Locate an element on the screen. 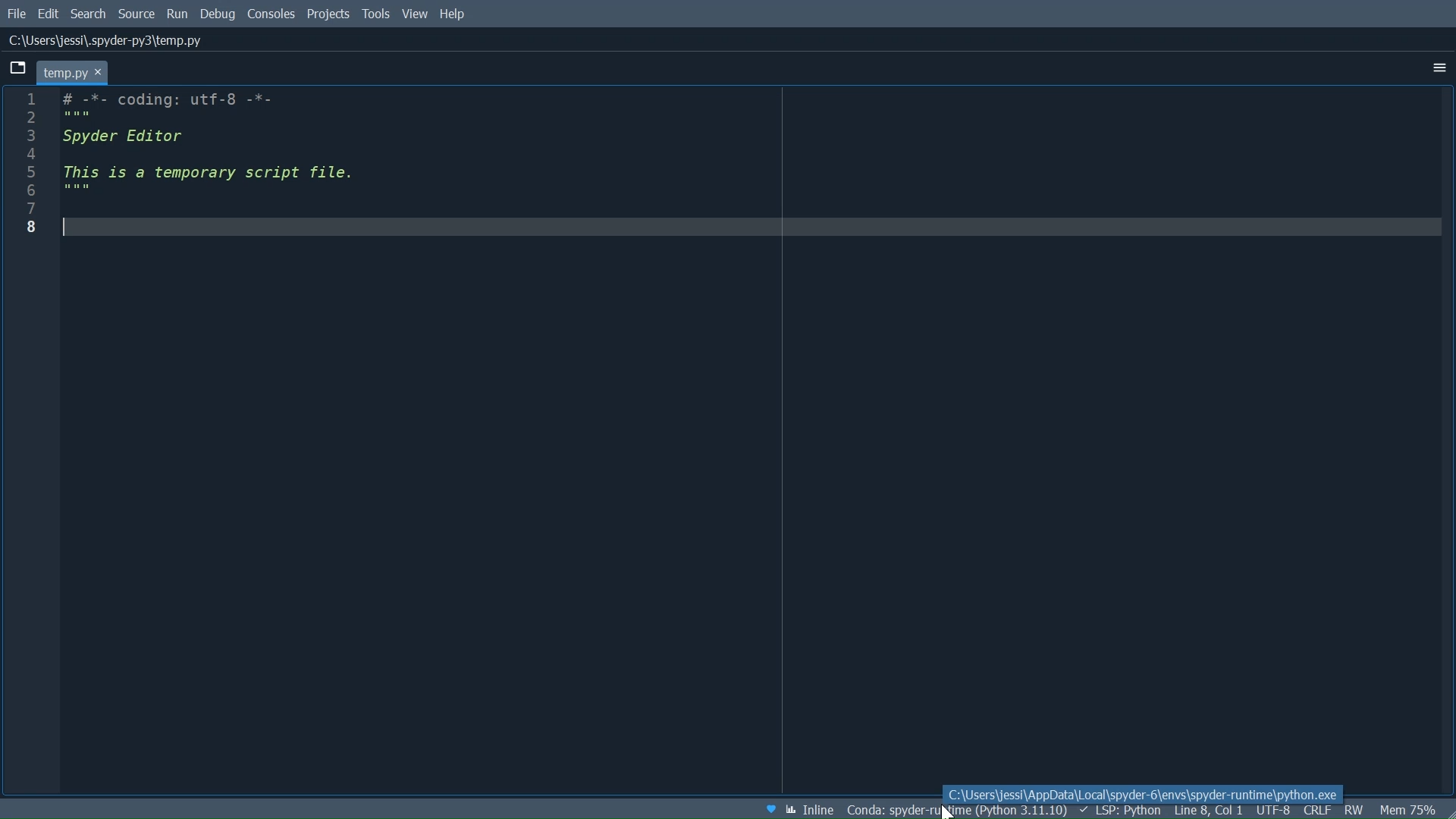 The width and height of the screenshot is (1456, 819). File is located at coordinates (17, 14).